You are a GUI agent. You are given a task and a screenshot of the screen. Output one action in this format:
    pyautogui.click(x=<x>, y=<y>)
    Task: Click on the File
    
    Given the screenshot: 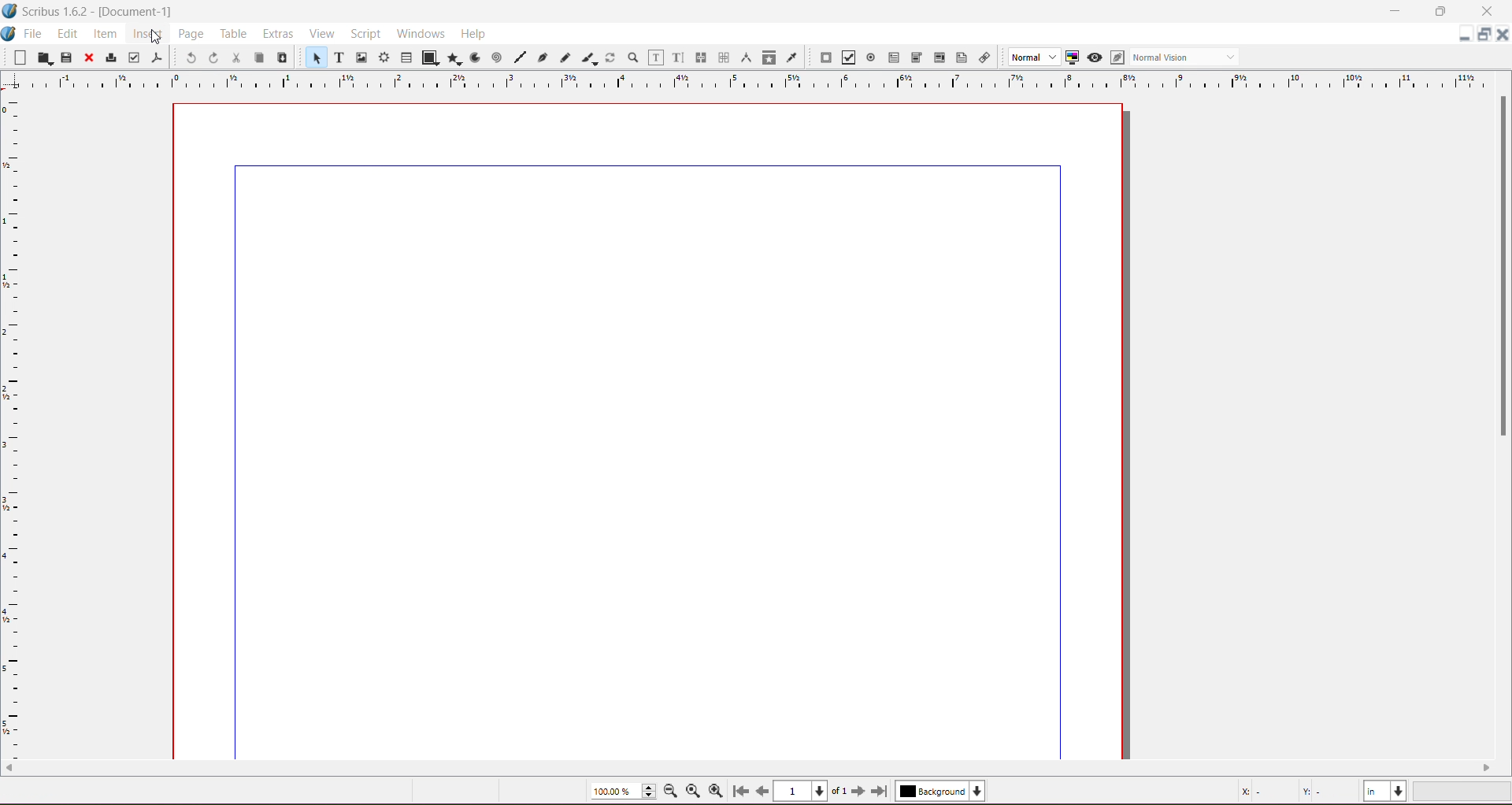 What is the action you would take?
    pyautogui.click(x=35, y=34)
    